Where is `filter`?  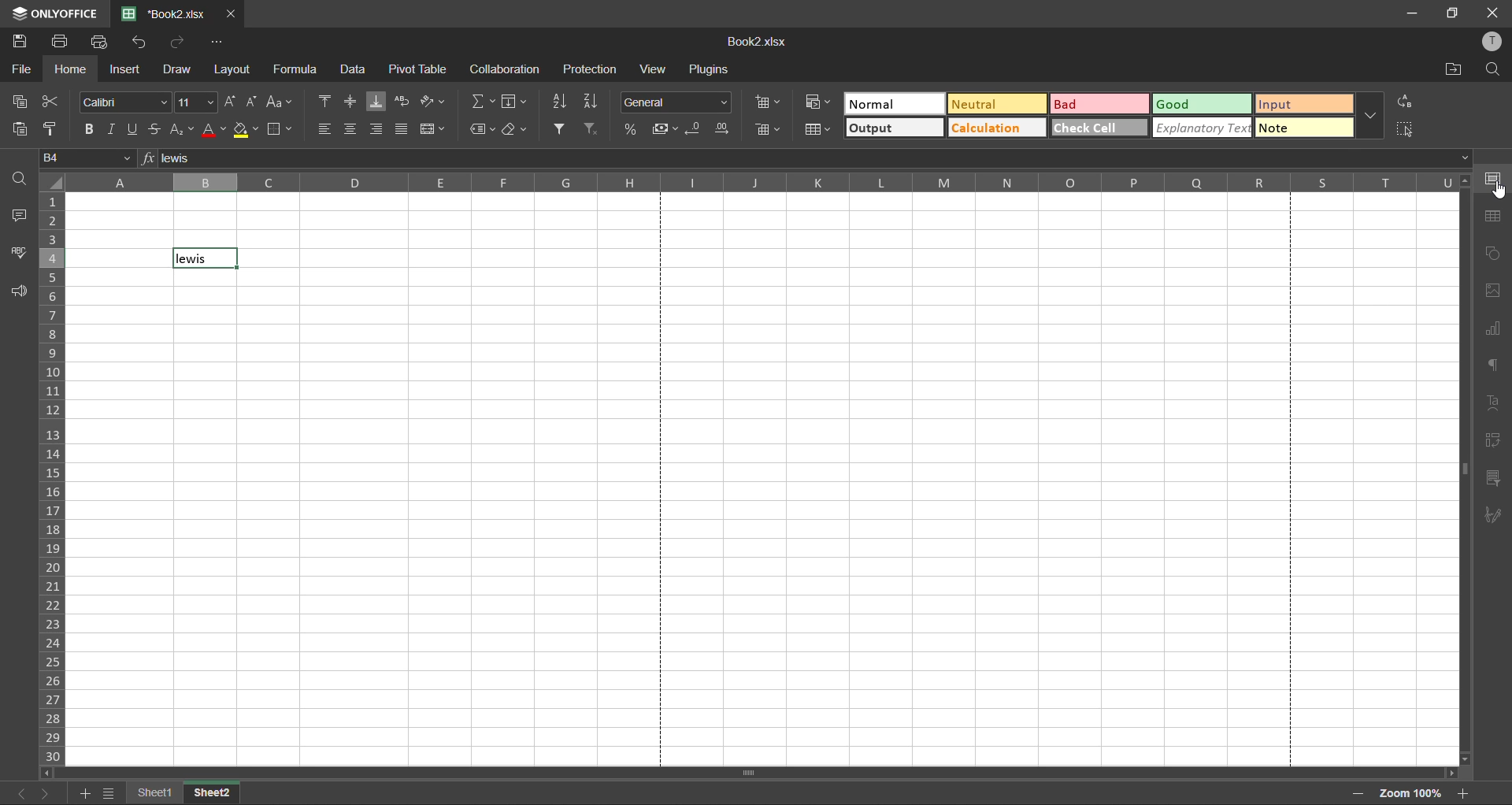
filter is located at coordinates (560, 129).